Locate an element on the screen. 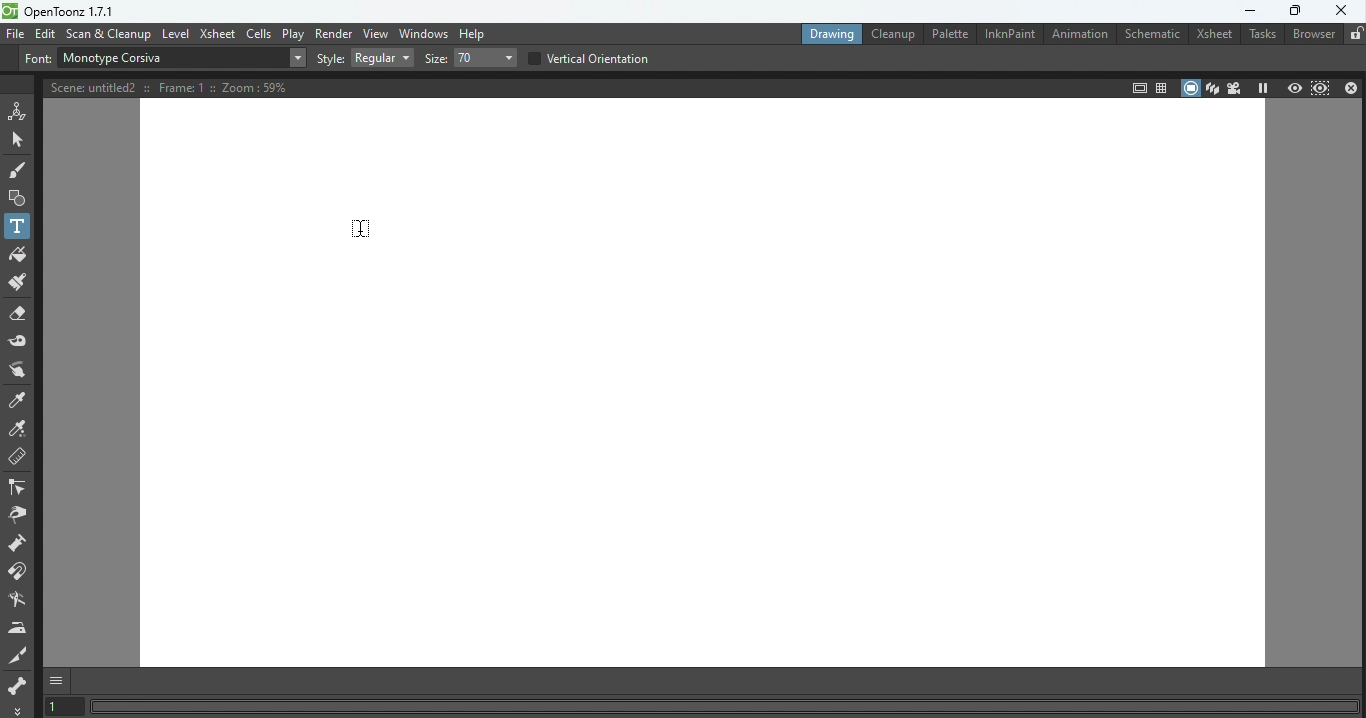  Cleanup is located at coordinates (891, 35).